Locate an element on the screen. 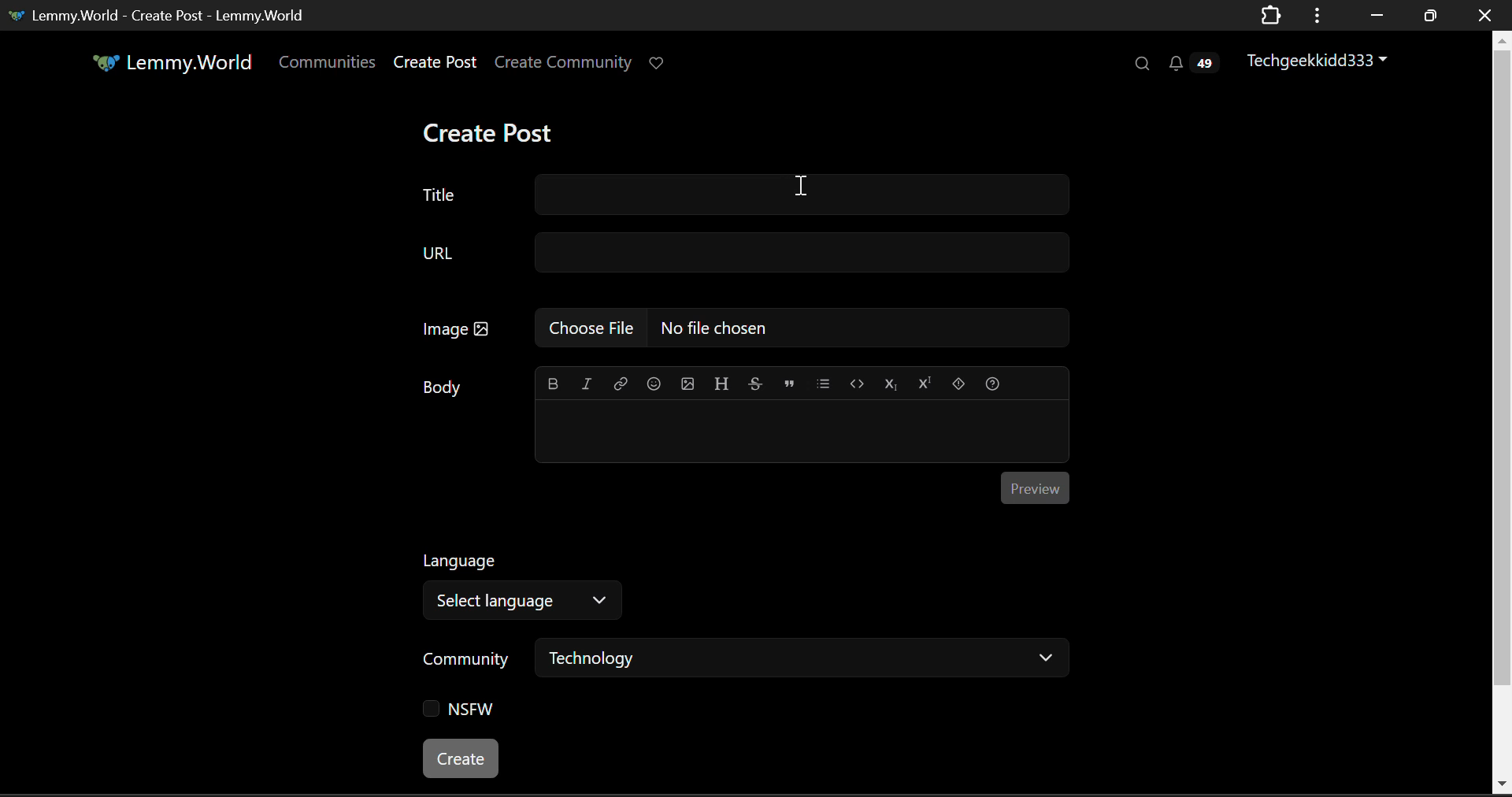 The image size is (1512, 797). Italic is located at coordinates (585, 385).